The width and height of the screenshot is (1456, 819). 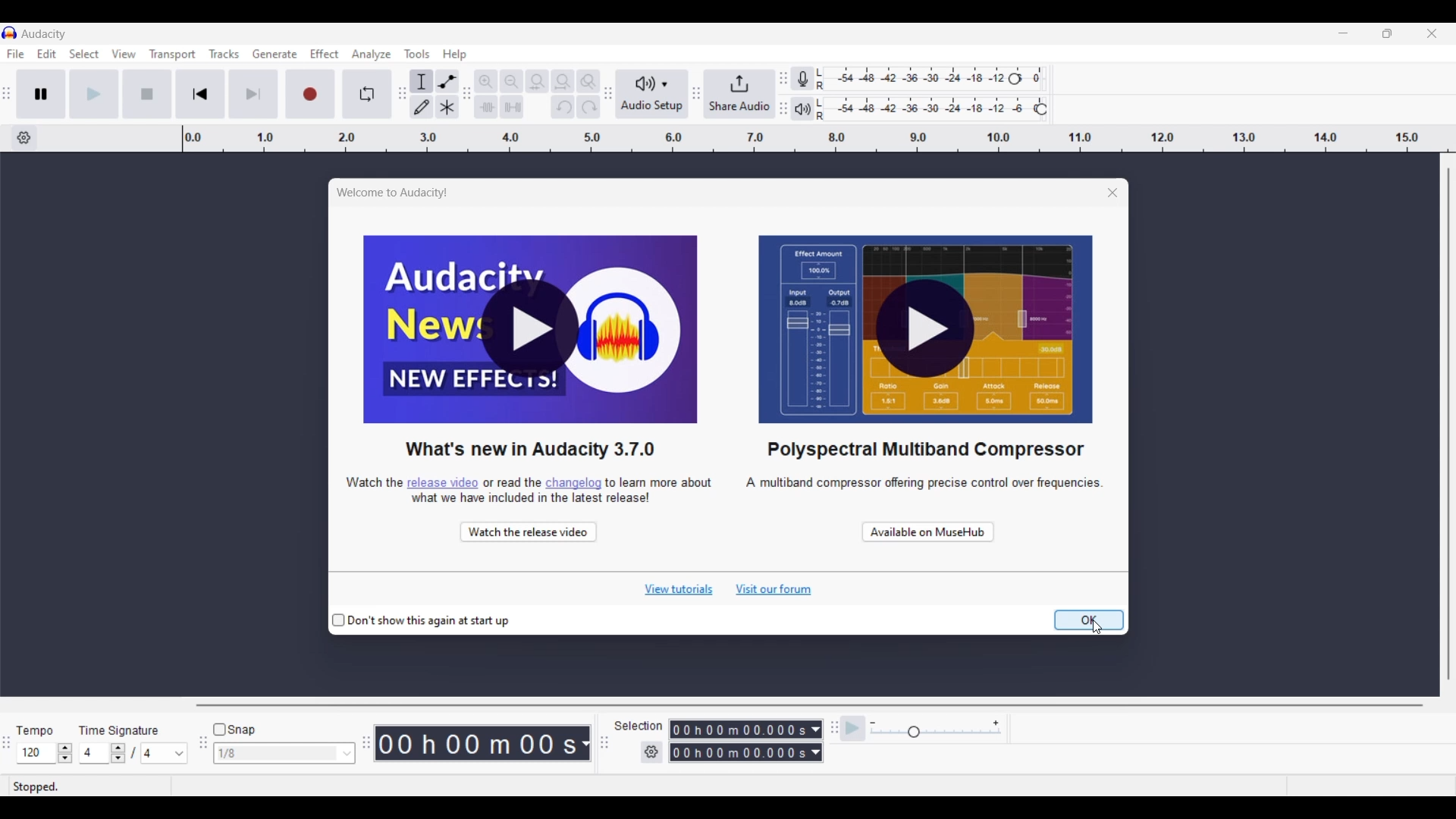 I want to click on Skip/Select to start, so click(x=201, y=94).